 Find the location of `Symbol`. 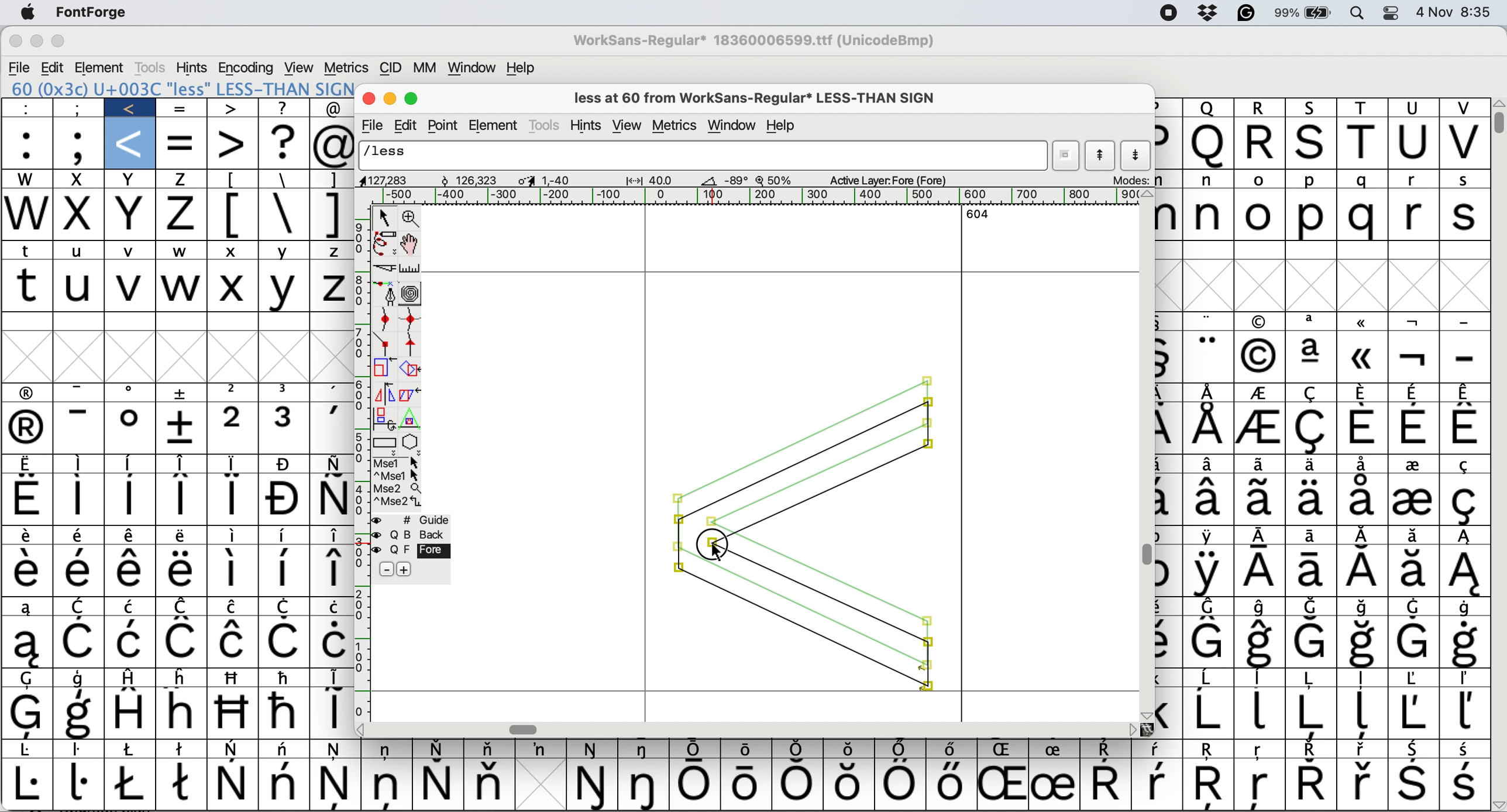

Symbol is located at coordinates (747, 785).